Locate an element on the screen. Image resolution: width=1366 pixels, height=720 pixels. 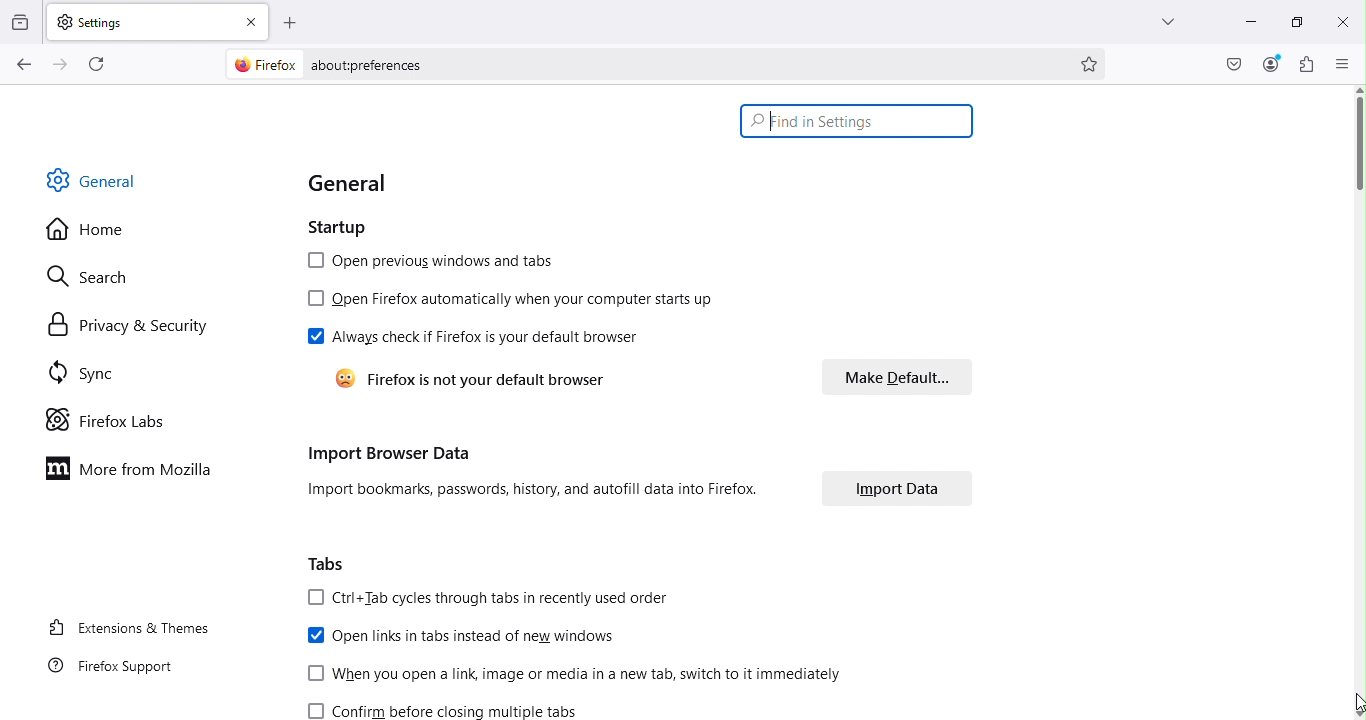
Save to pocket is located at coordinates (1228, 63).